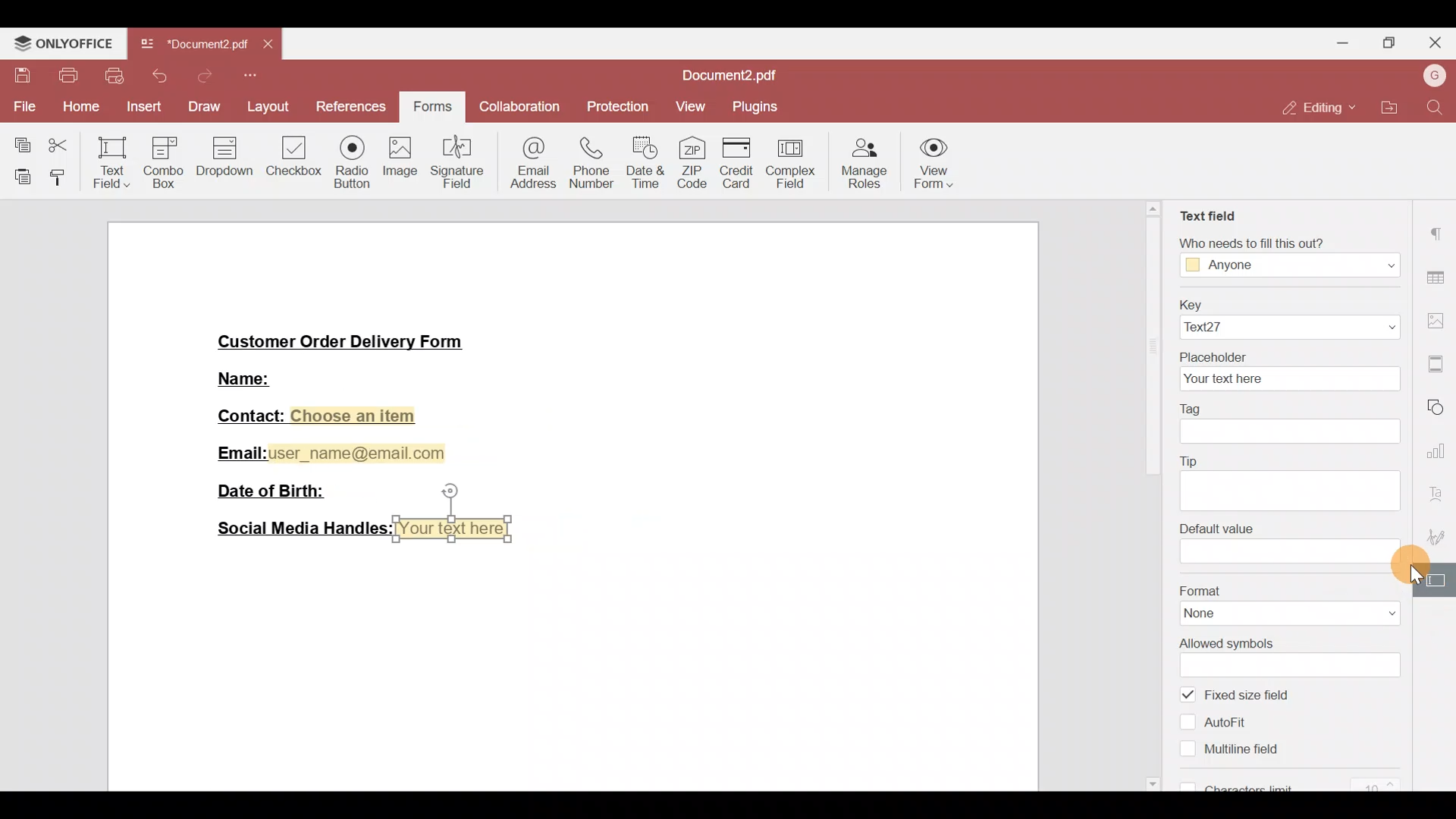 The image size is (1456, 819). What do you see at coordinates (1441, 407) in the screenshot?
I see `Shapes settings` at bounding box center [1441, 407].